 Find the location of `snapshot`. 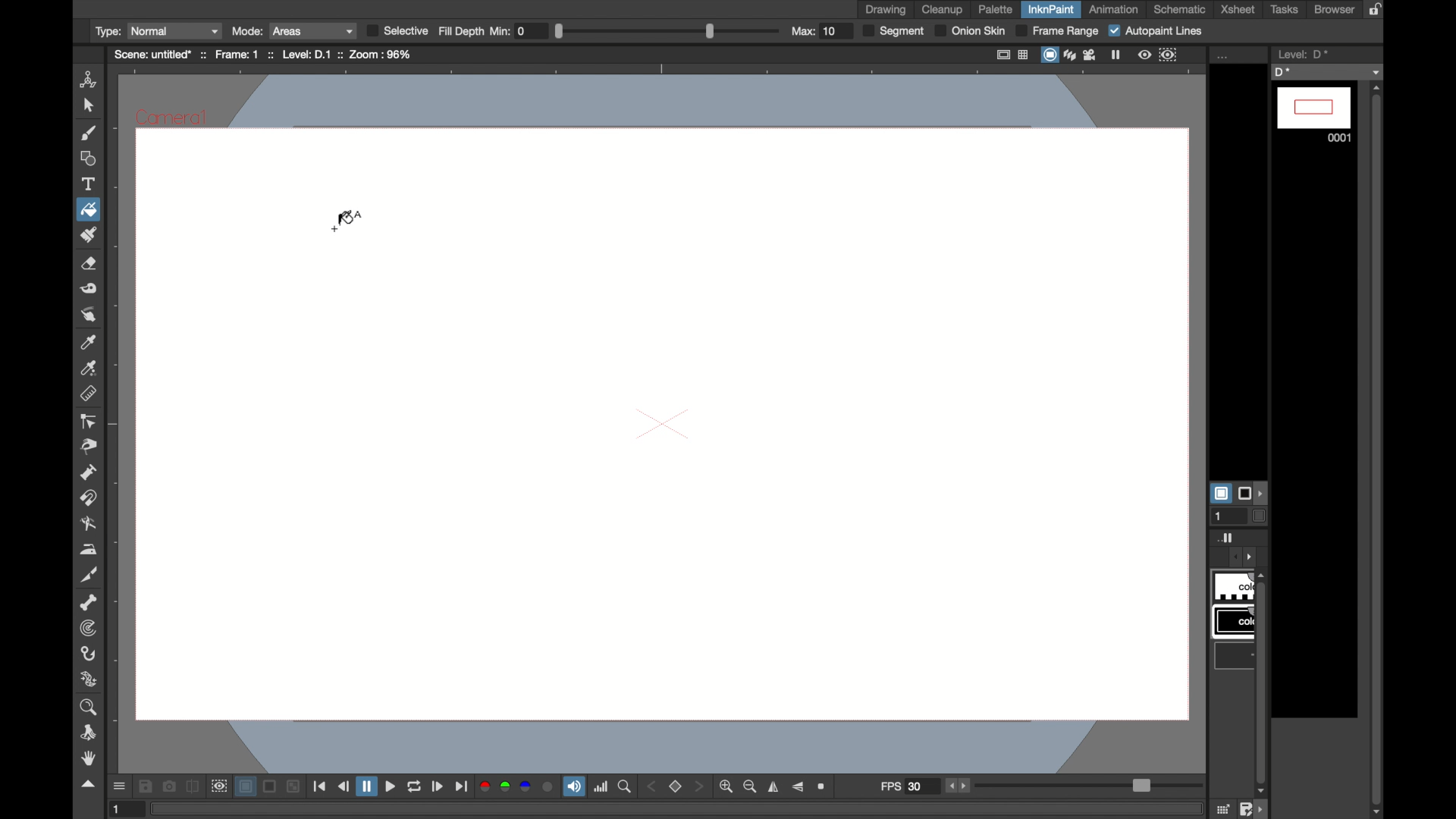

snapshot is located at coordinates (170, 786).